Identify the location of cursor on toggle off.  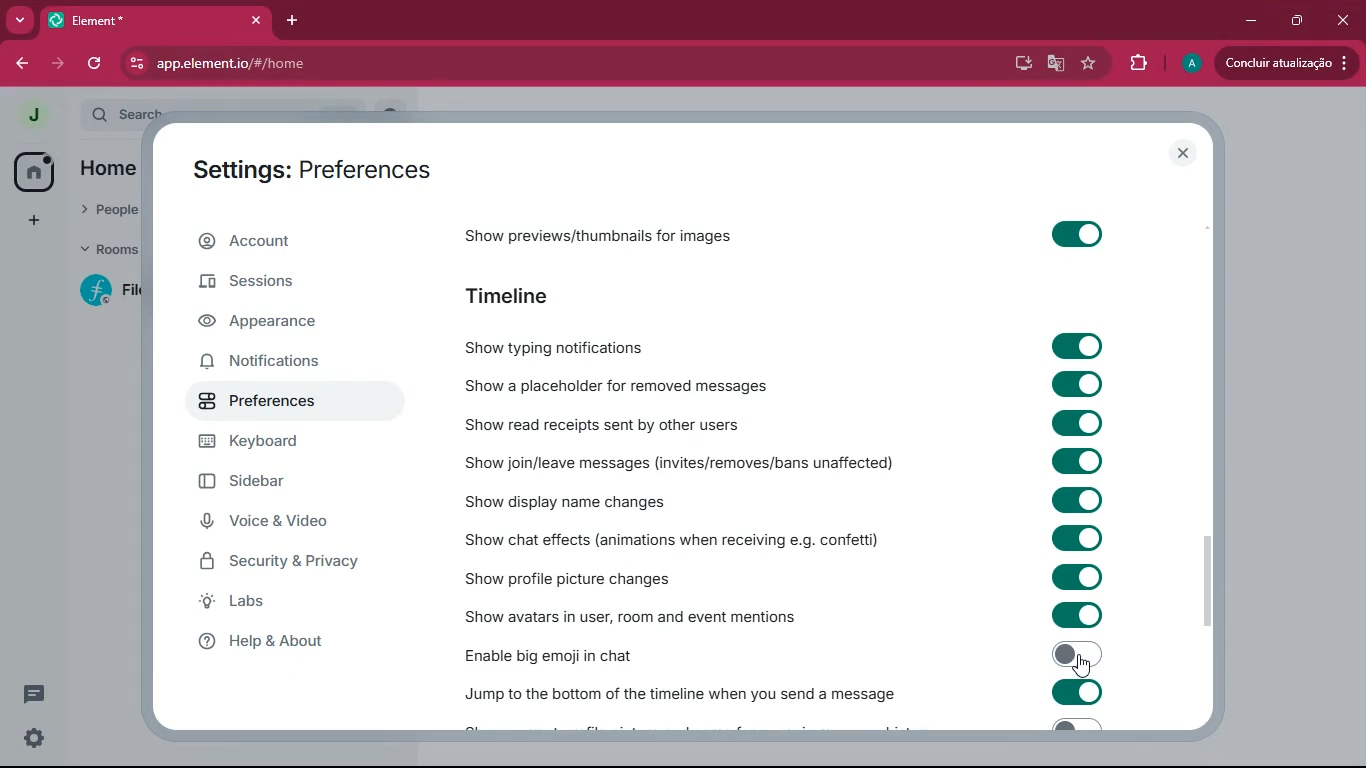
(1085, 666).